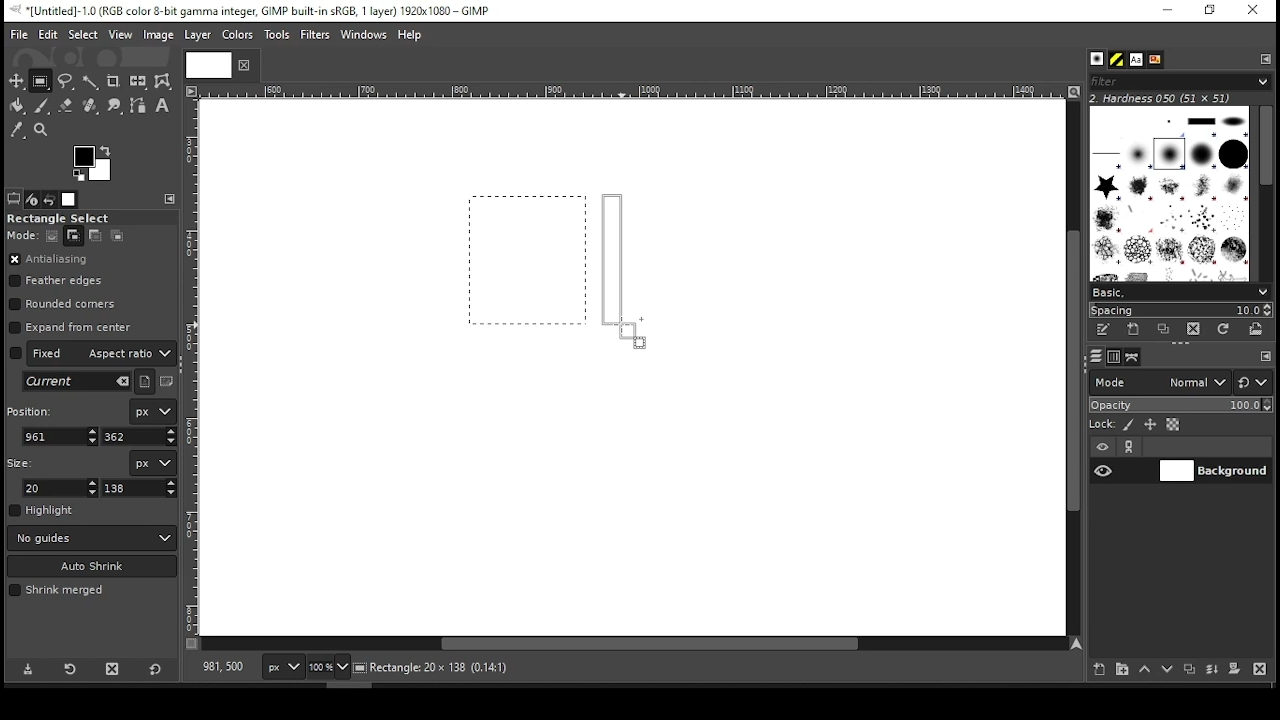 This screenshot has width=1280, height=720. What do you see at coordinates (242, 65) in the screenshot?
I see `close` at bounding box center [242, 65].